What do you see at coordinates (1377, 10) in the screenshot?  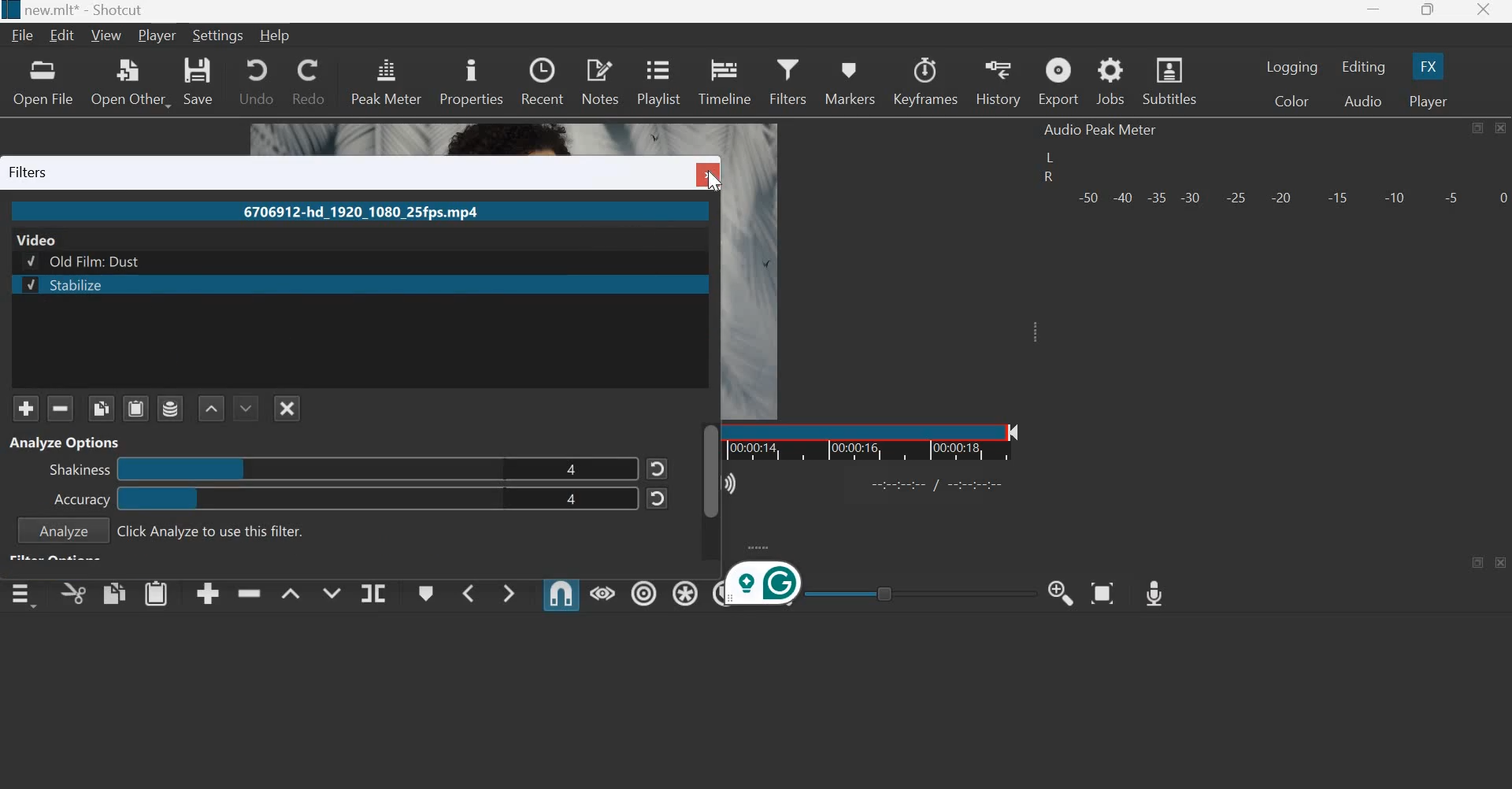 I see `Minimize` at bounding box center [1377, 10].